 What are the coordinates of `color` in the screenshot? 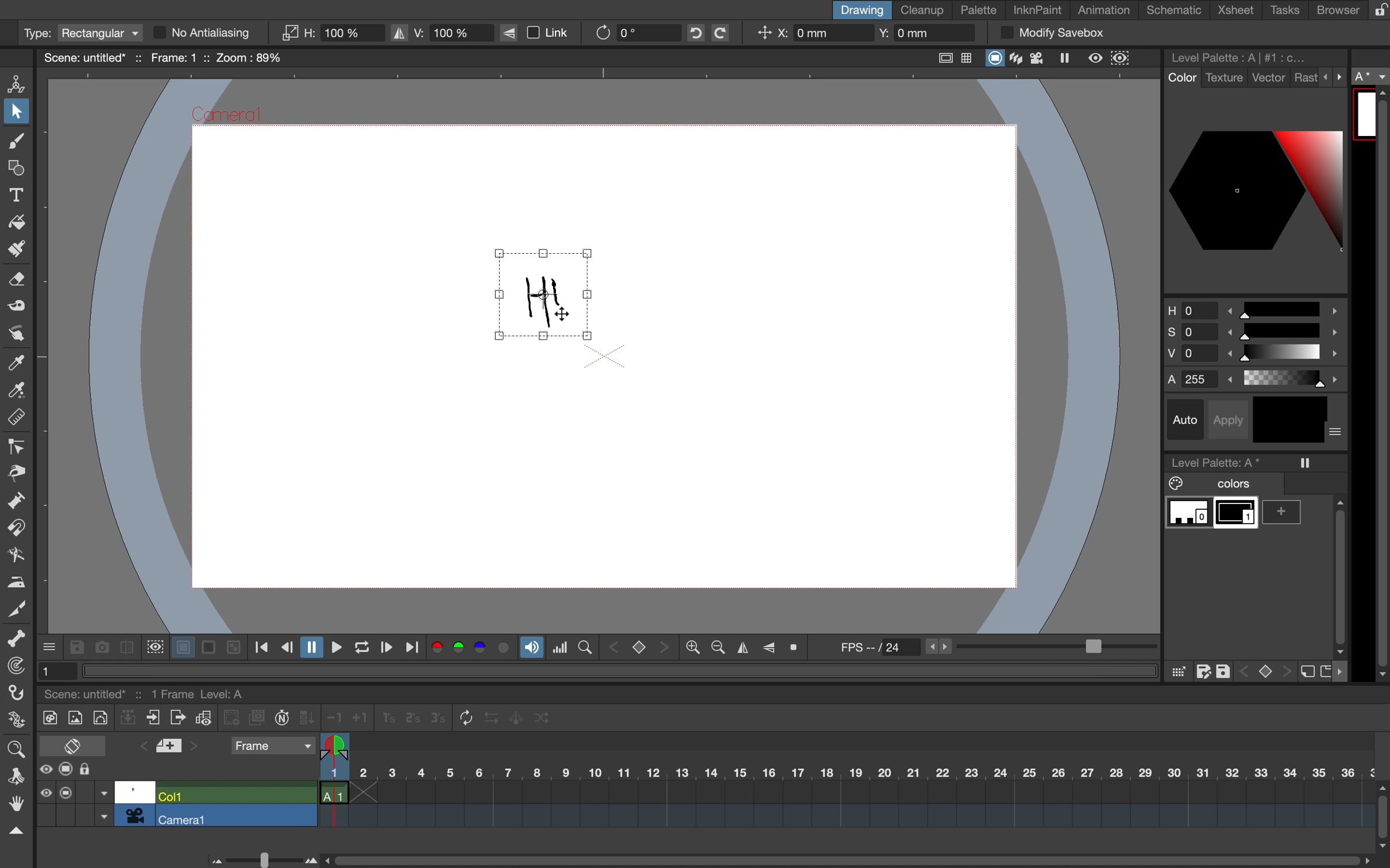 It's located at (1180, 78).